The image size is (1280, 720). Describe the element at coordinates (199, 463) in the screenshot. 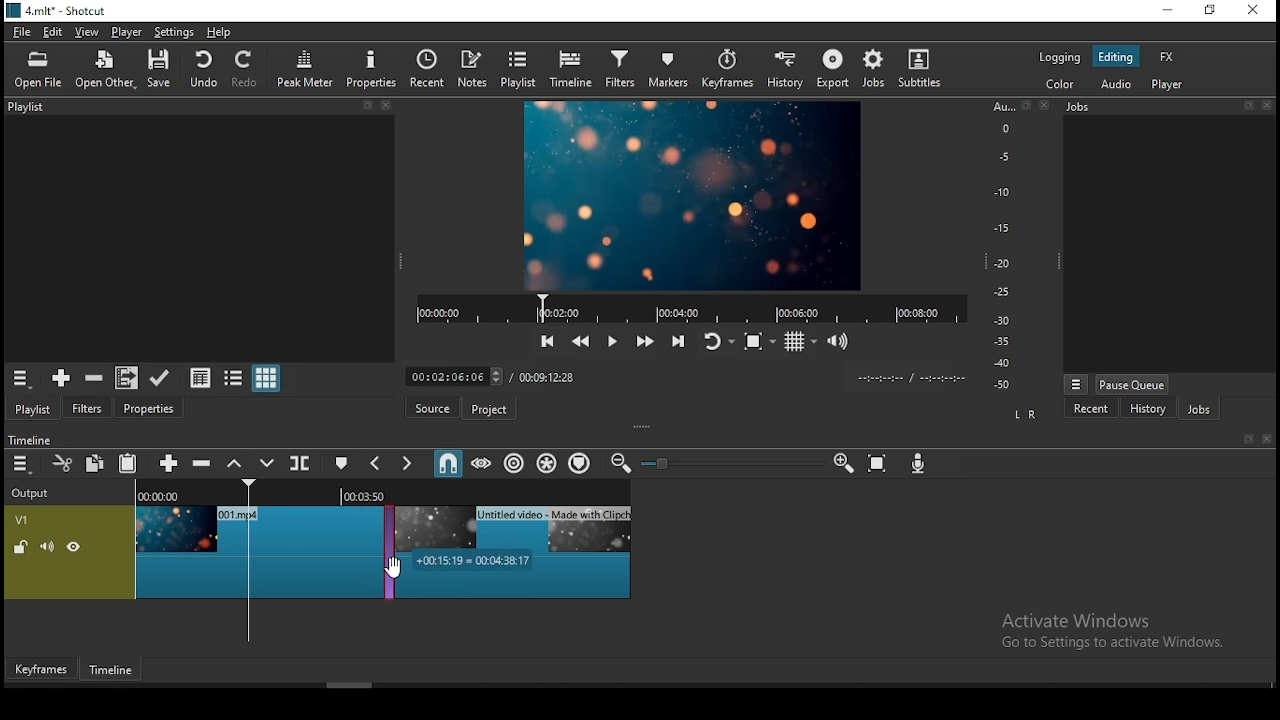

I see `ripple delete` at that location.